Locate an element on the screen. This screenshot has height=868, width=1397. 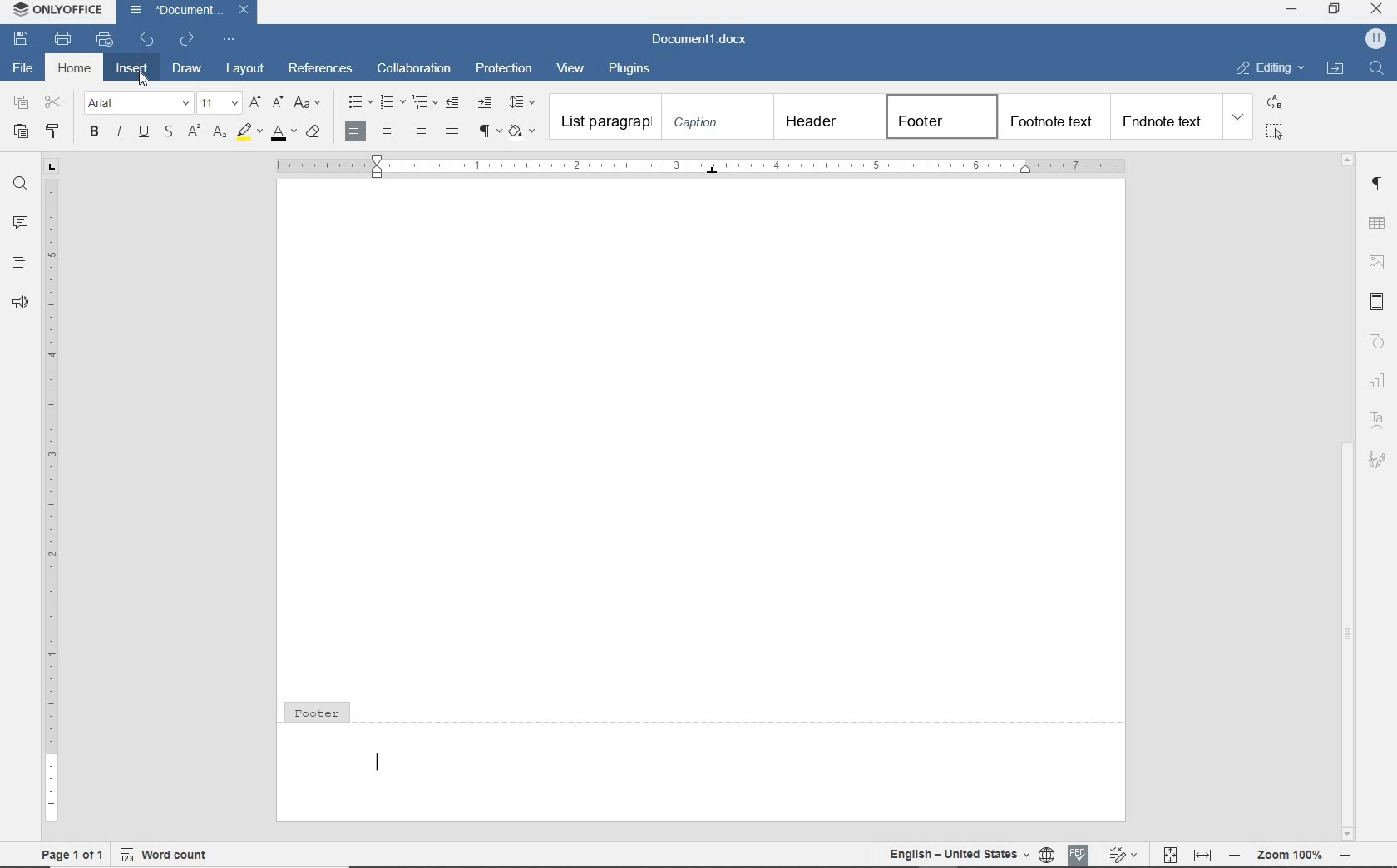
print file is located at coordinates (65, 38).